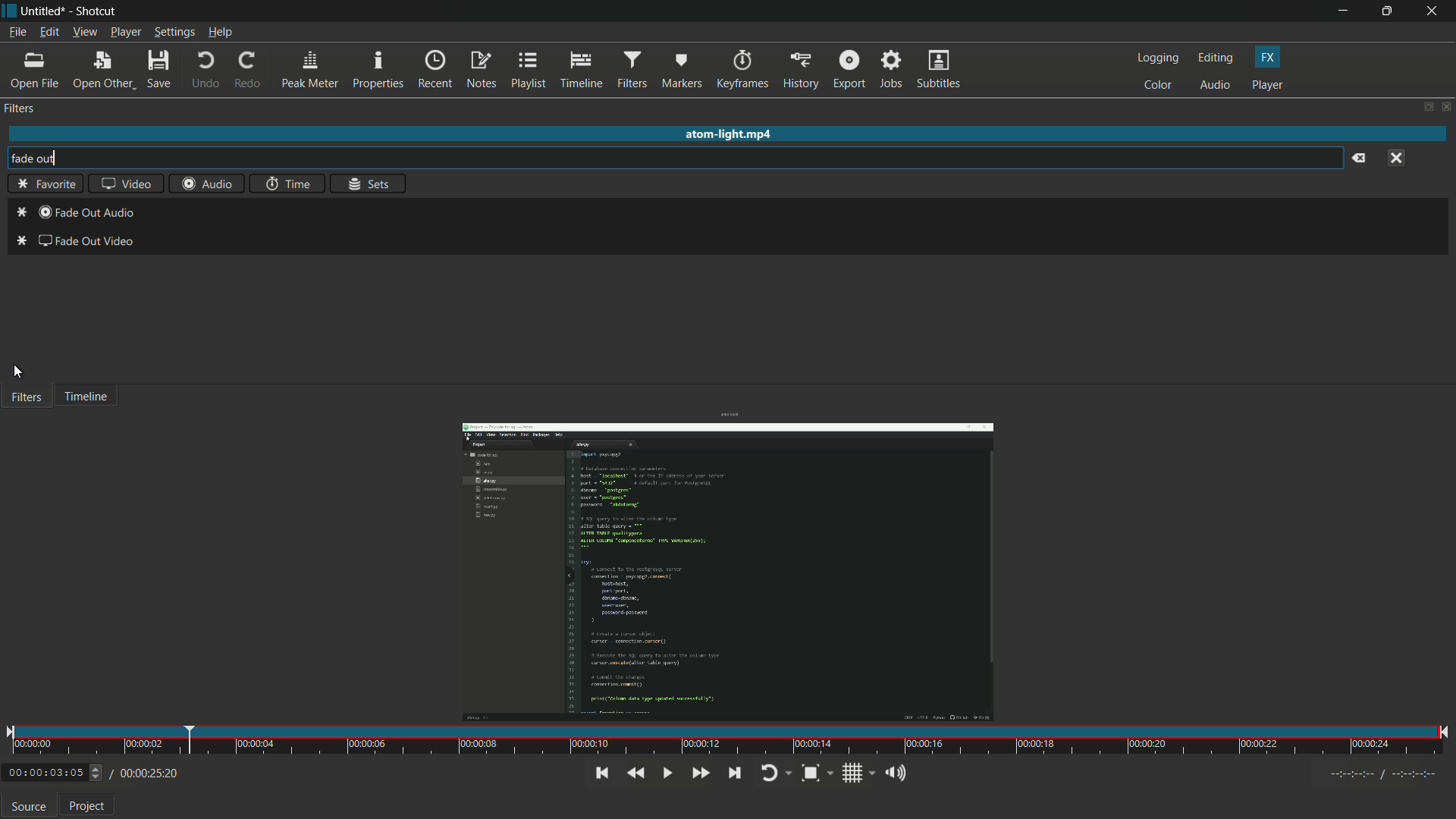 The width and height of the screenshot is (1456, 819). Describe the element at coordinates (853, 773) in the screenshot. I see `toggle grid` at that location.